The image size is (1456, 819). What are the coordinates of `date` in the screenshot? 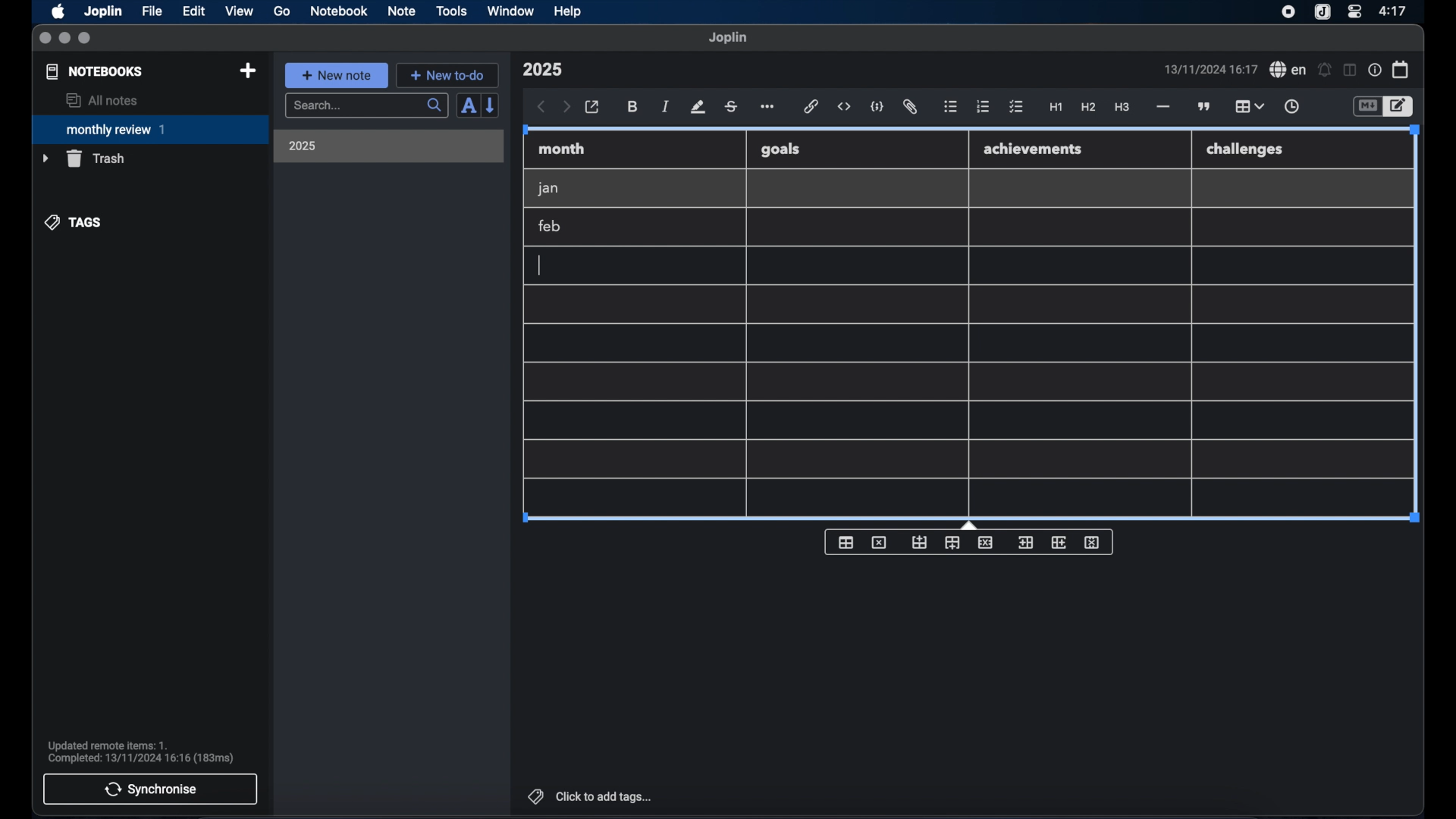 It's located at (1210, 69).